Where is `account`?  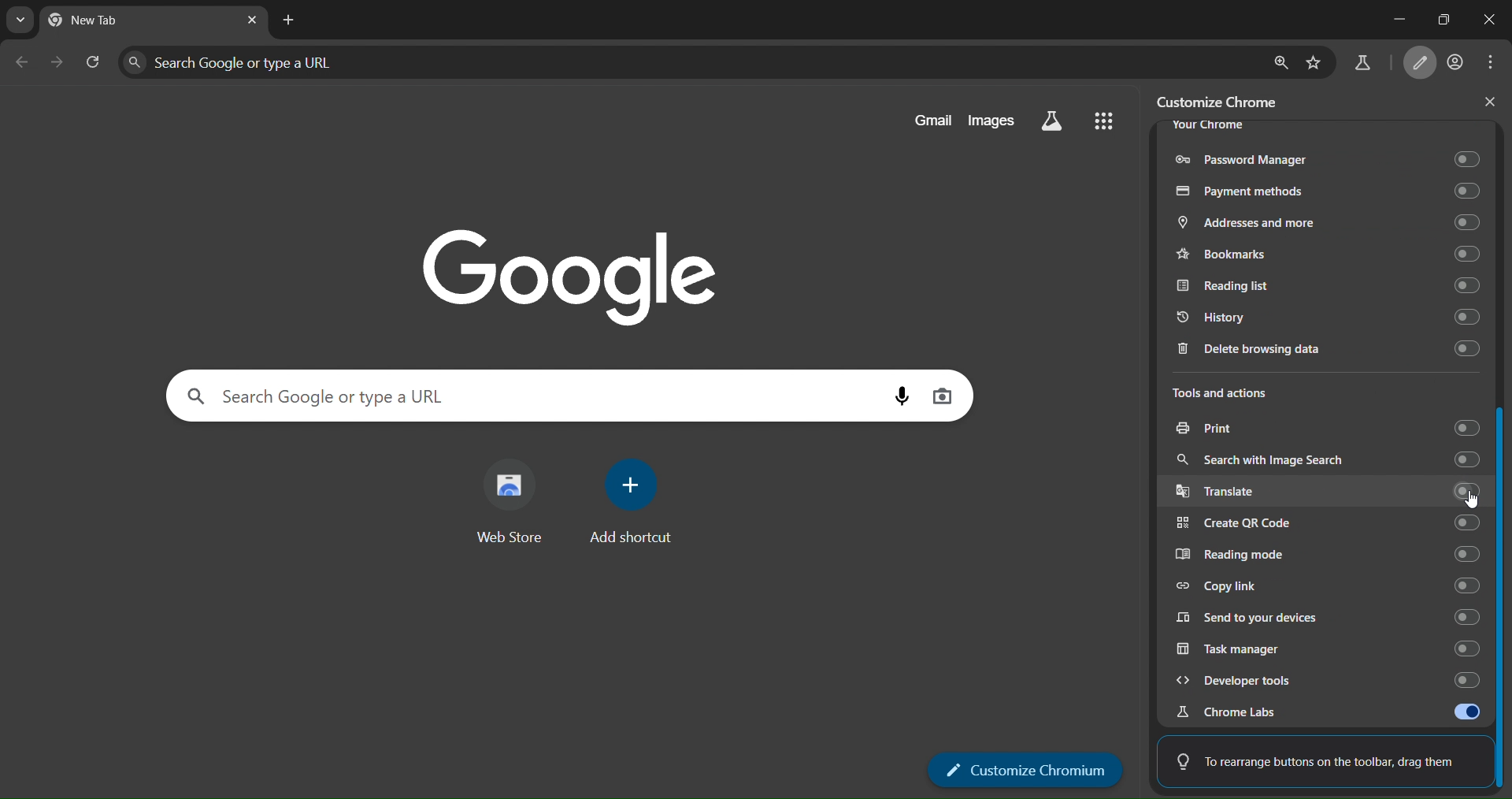 account is located at coordinates (1457, 61).